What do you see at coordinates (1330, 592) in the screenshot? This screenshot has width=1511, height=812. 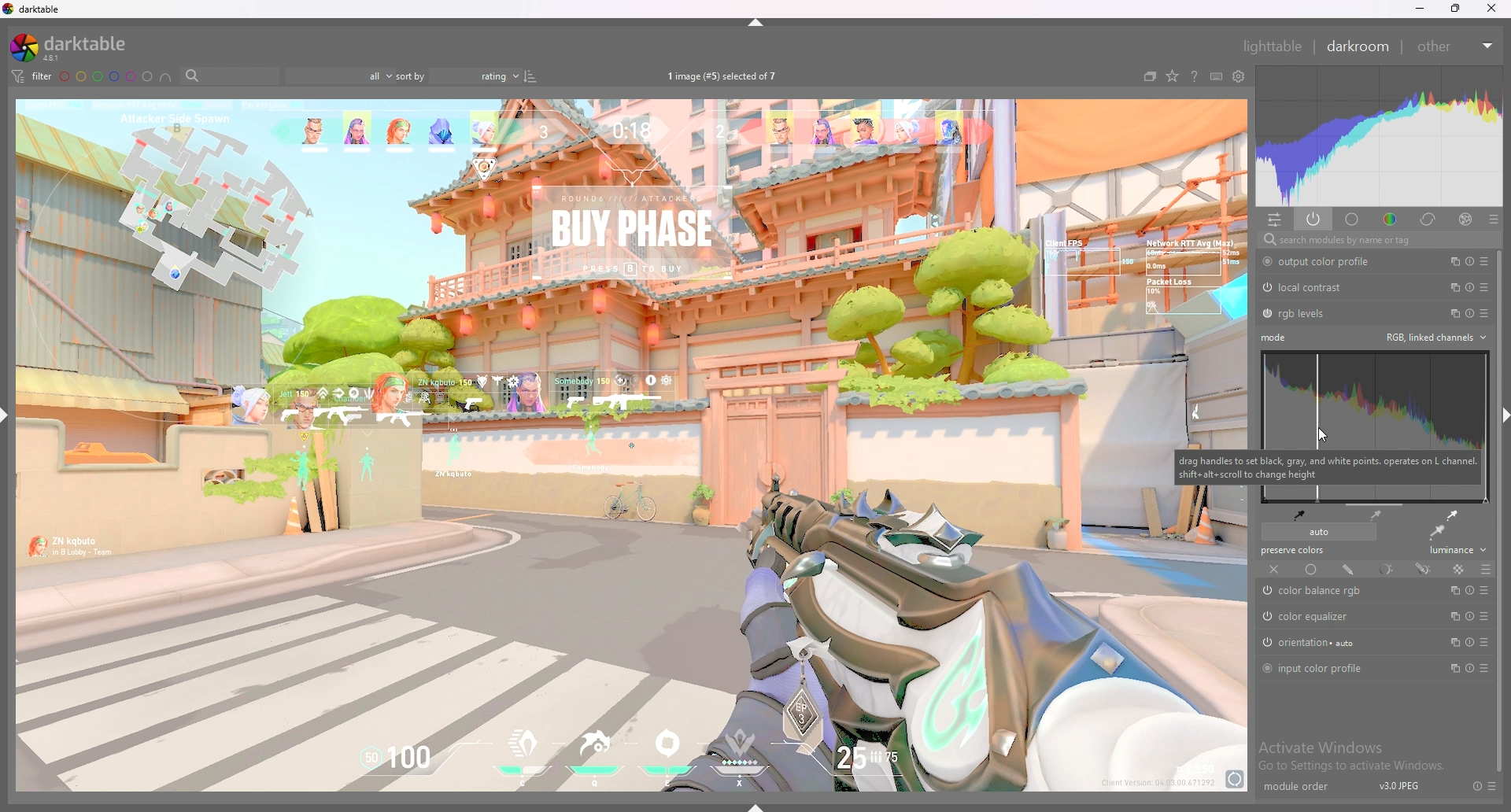 I see `color balance rgb` at bounding box center [1330, 592].